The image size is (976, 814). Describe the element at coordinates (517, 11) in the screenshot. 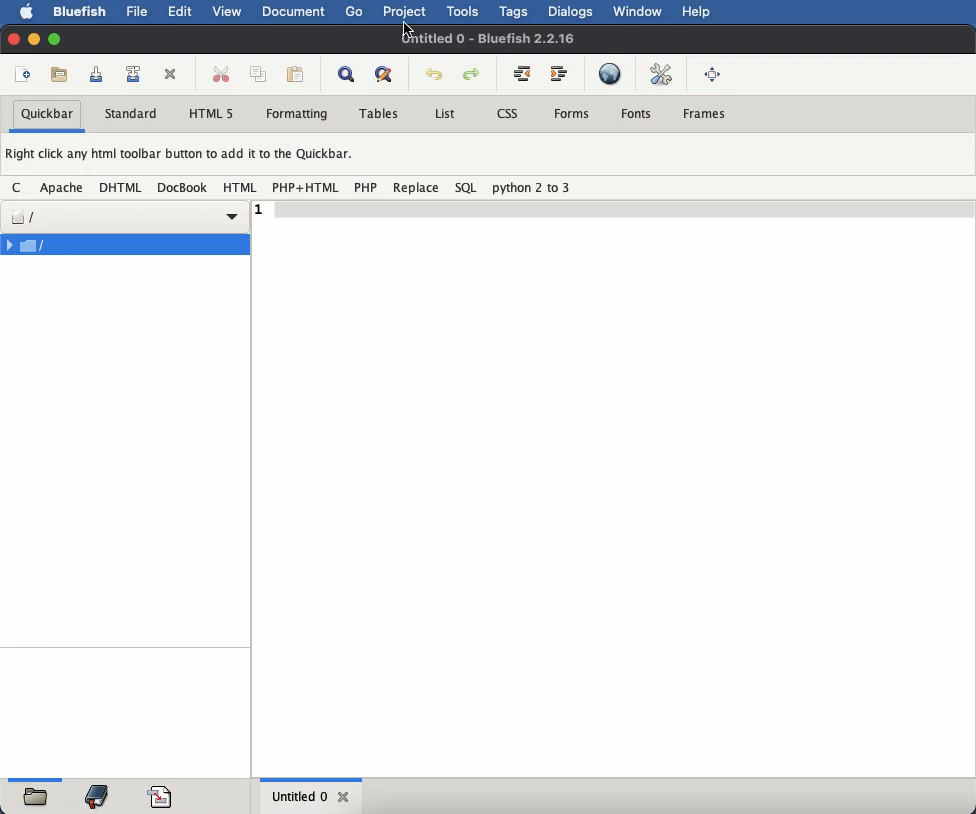

I see `tags` at that location.